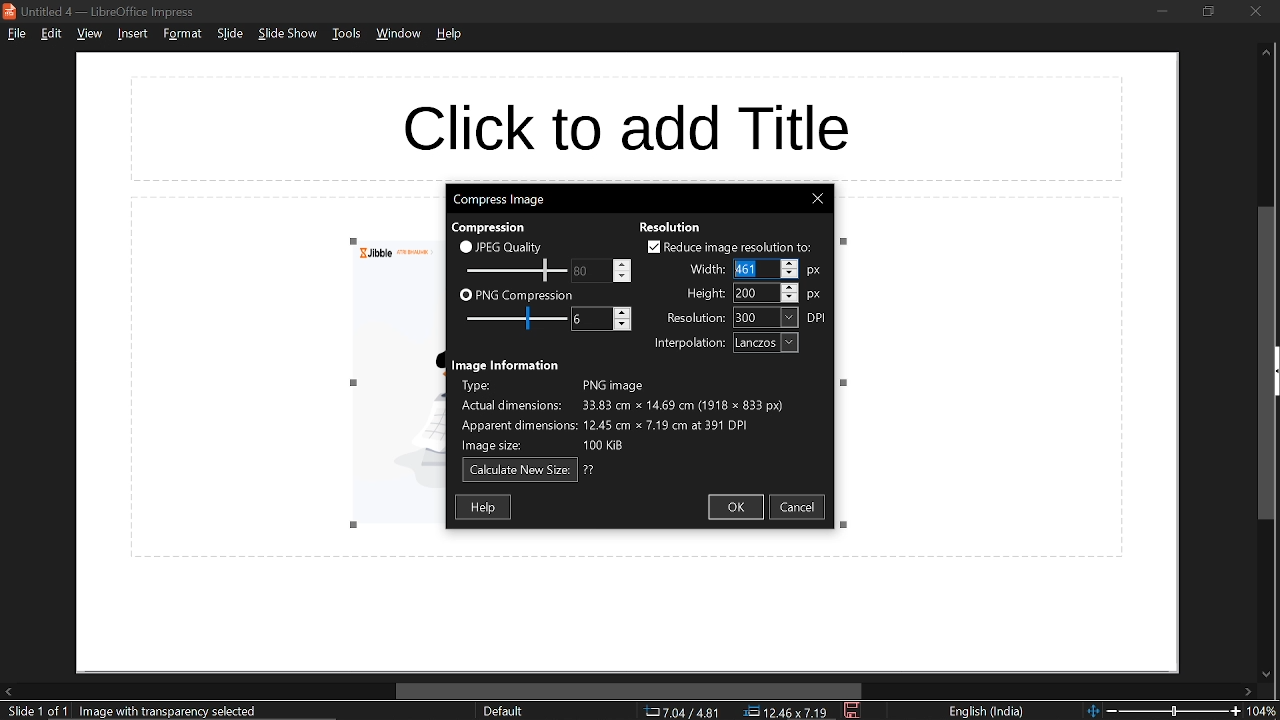  Describe the element at coordinates (288, 36) in the screenshot. I see `slide show` at that location.